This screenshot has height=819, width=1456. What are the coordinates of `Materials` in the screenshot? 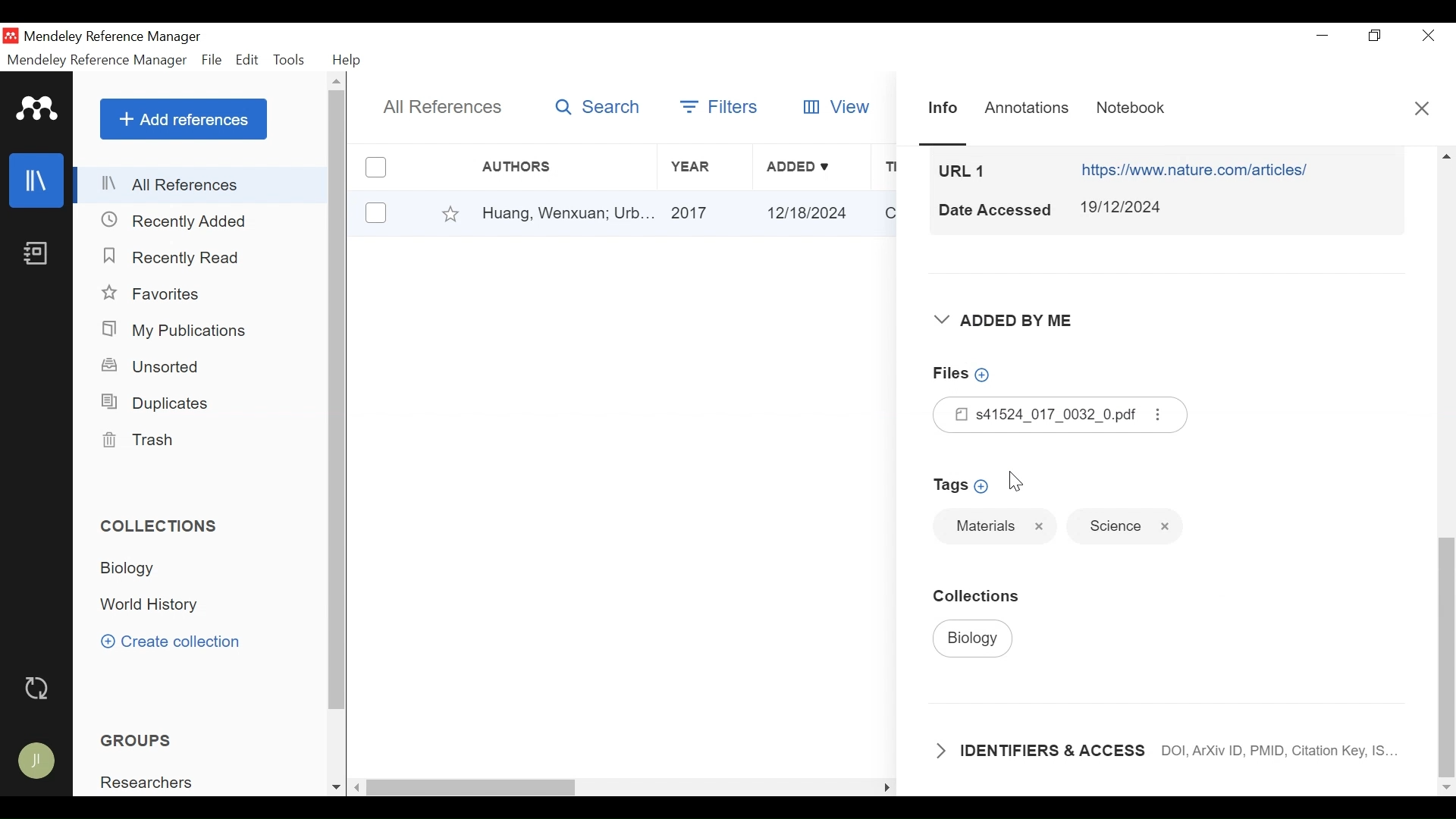 It's located at (984, 526).